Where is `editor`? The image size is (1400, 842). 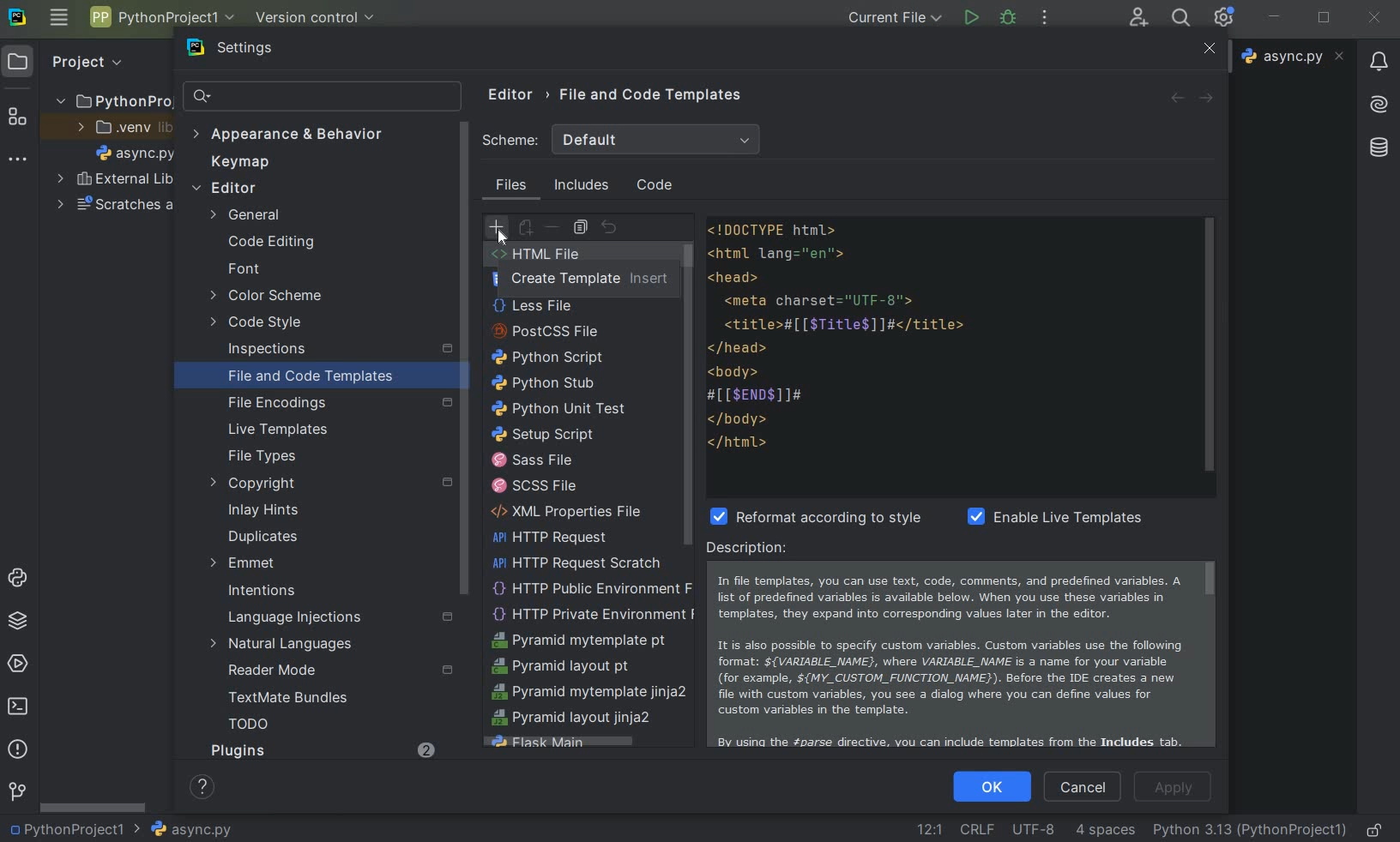 editor is located at coordinates (221, 187).